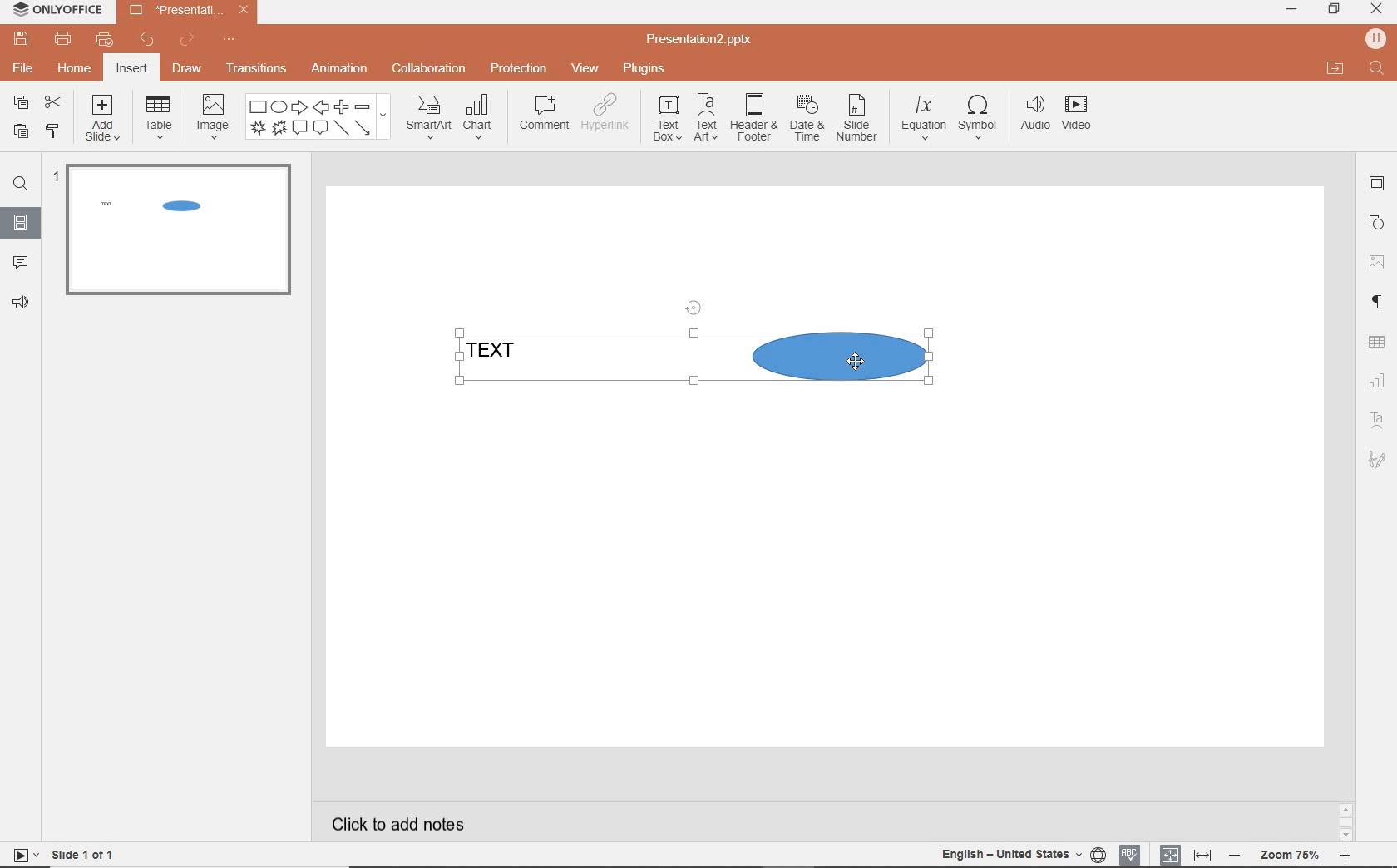  What do you see at coordinates (210, 116) in the screenshot?
I see `image` at bounding box center [210, 116].